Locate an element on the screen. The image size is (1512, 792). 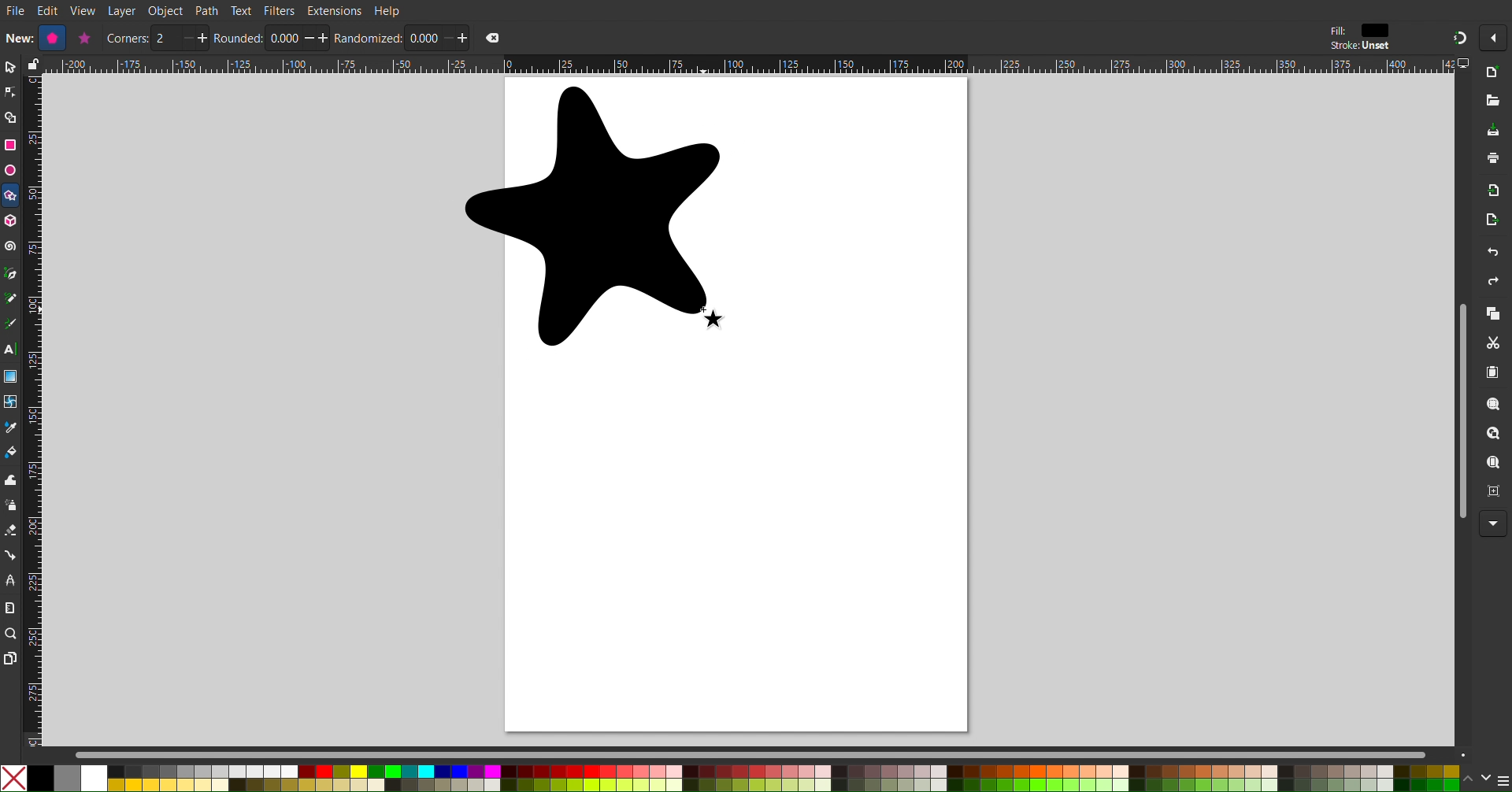
Print is located at coordinates (1494, 160).